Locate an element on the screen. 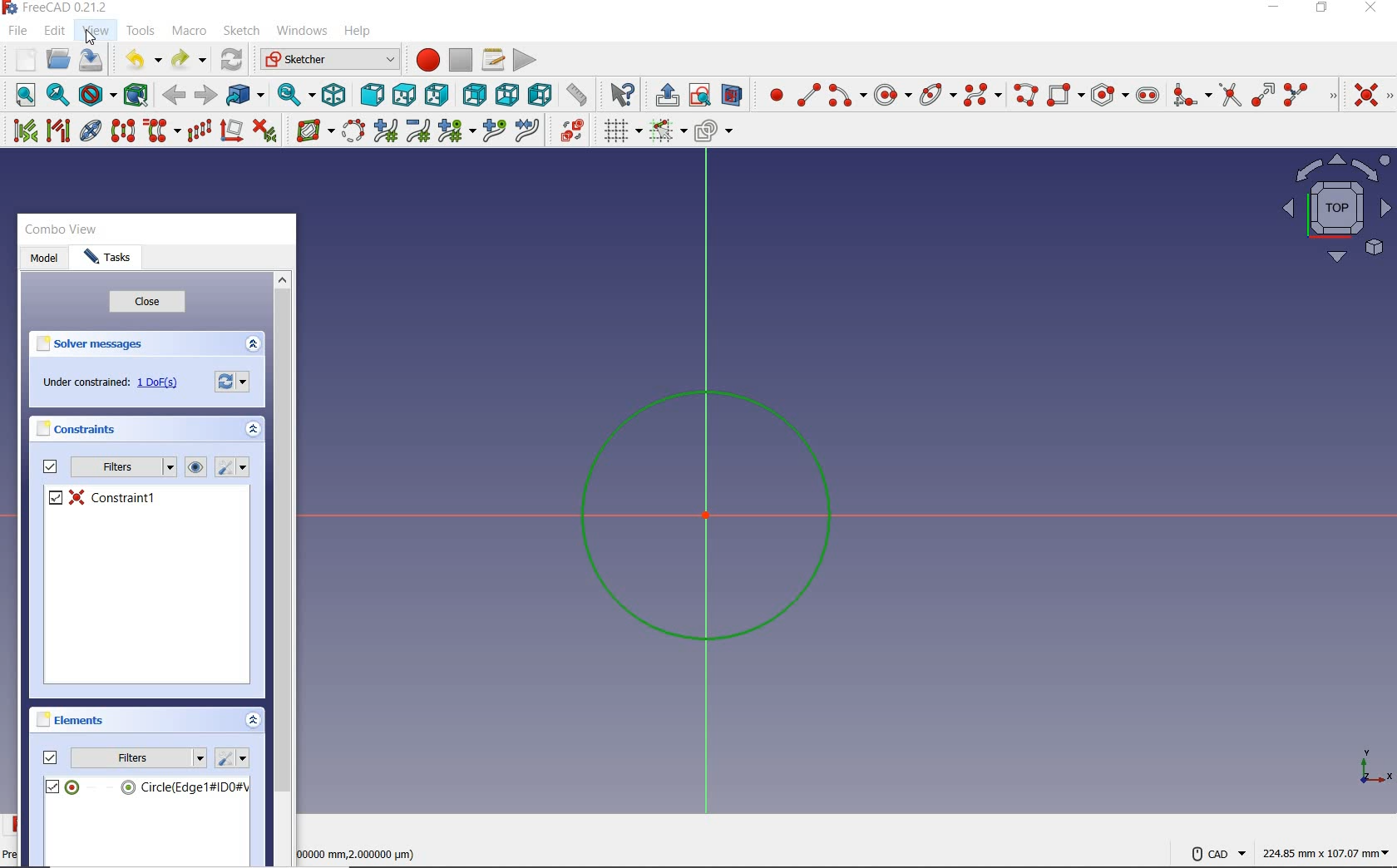 This screenshot has height=868, width=1397. rectangular array is located at coordinates (200, 131).